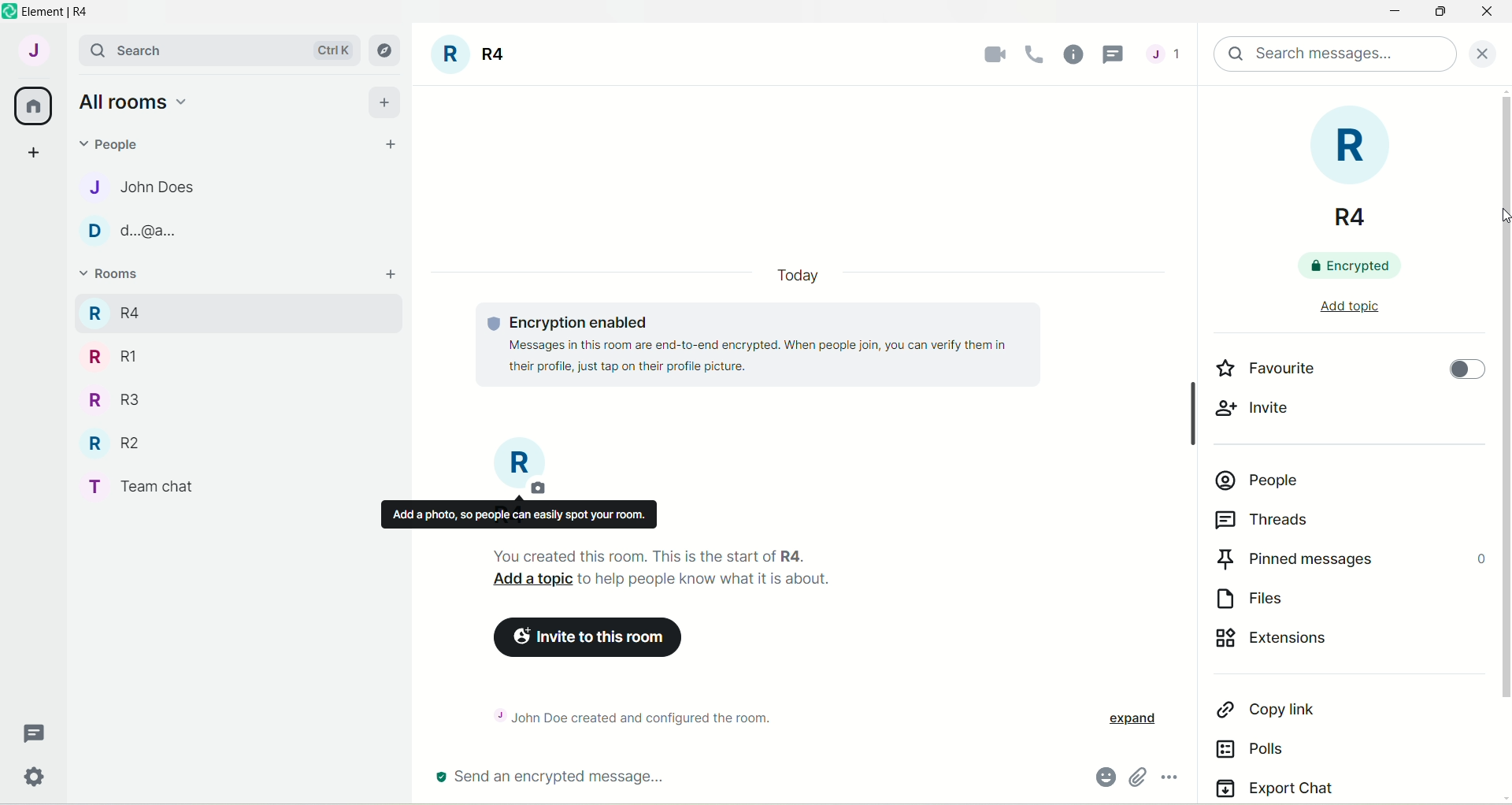 This screenshot has height=805, width=1512. Describe the element at coordinates (330, 50) in the screenshot. I see `Ctrl K` at that location.